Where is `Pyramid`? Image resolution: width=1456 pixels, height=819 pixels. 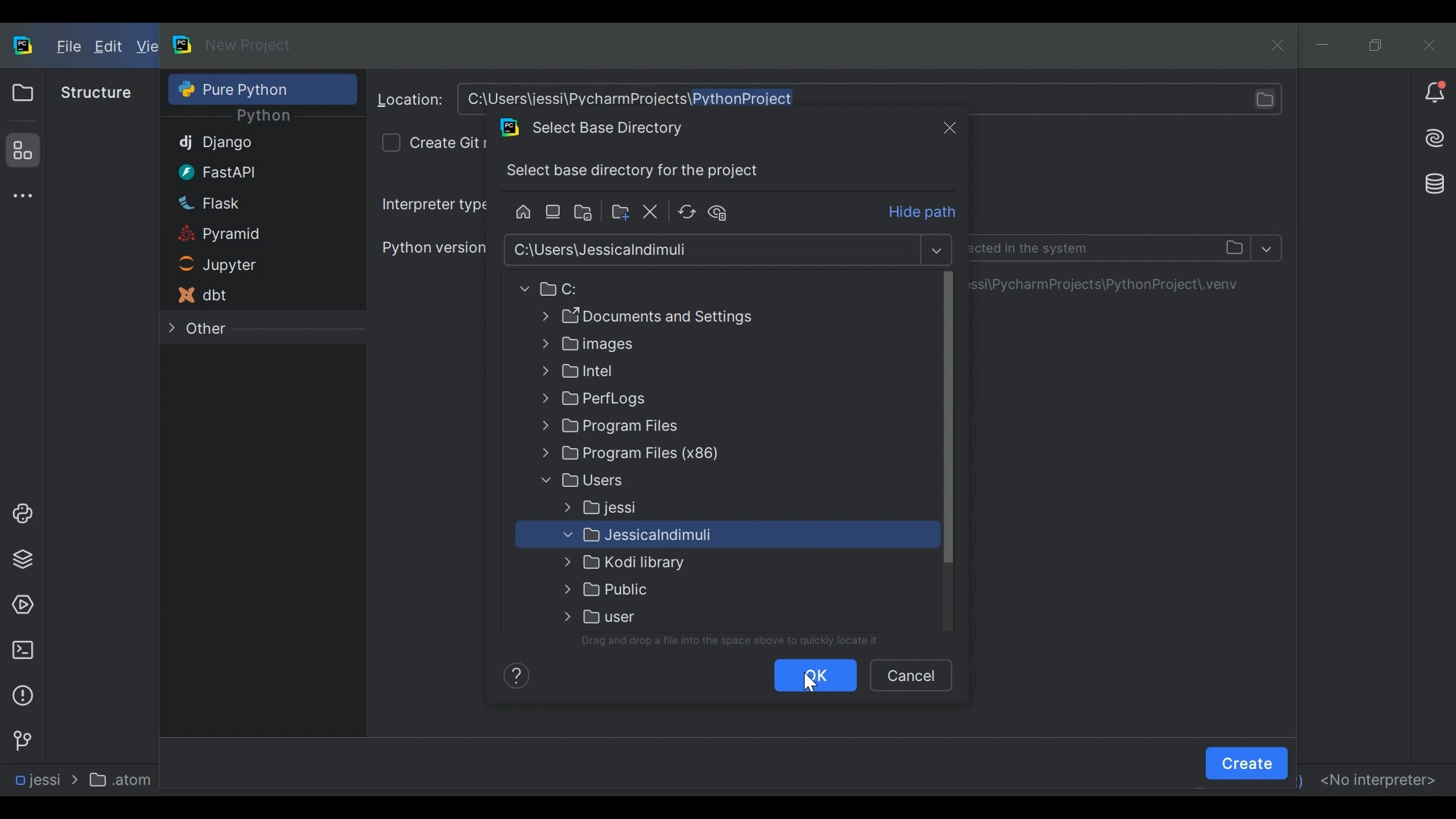
Pyramid is located at coordinates (241, 235).